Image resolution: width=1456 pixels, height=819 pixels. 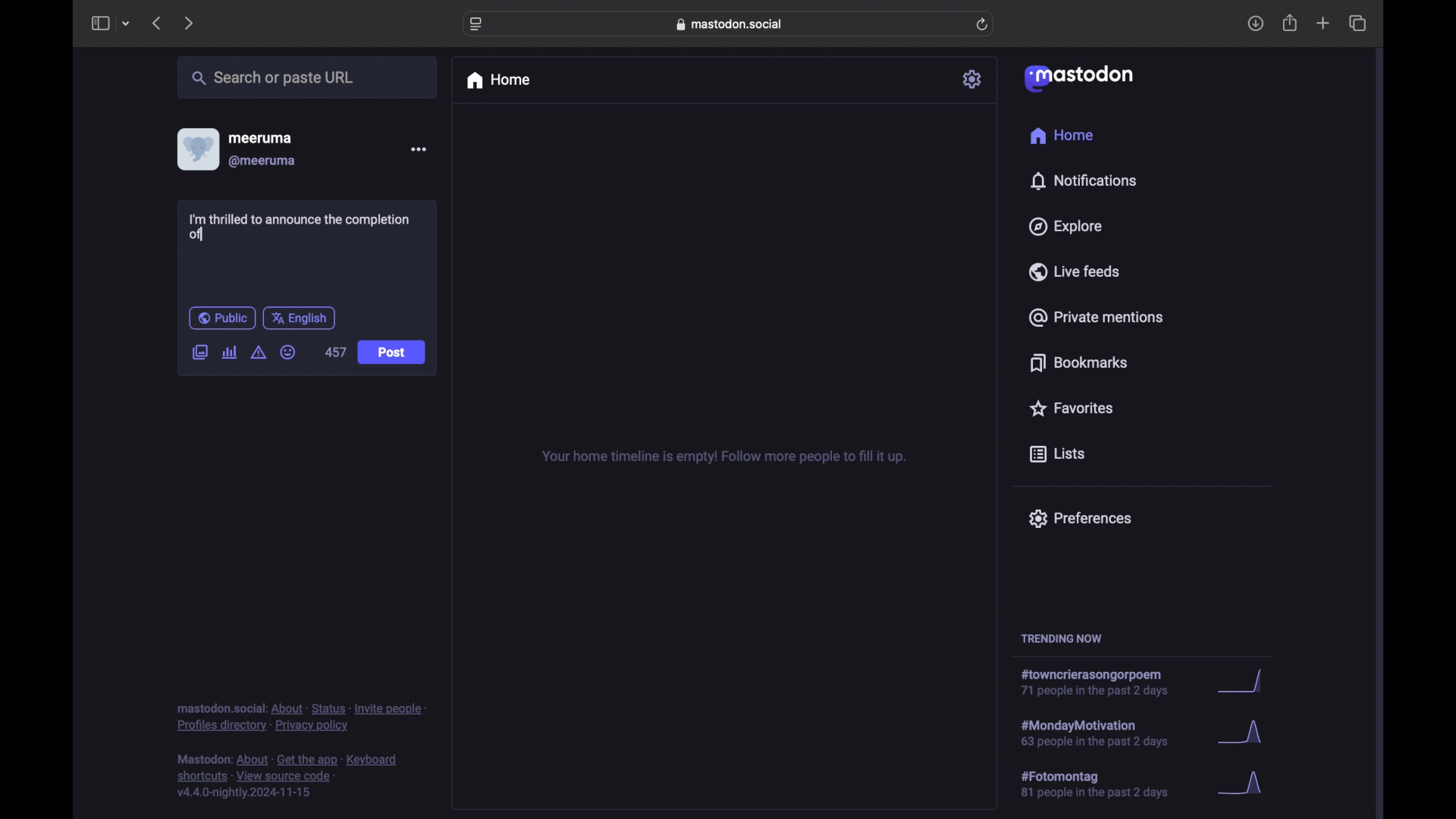 What do you see at coordinates (1246, 682) in the screenshot?
I see `graph` at bounding box center [1246, 682].